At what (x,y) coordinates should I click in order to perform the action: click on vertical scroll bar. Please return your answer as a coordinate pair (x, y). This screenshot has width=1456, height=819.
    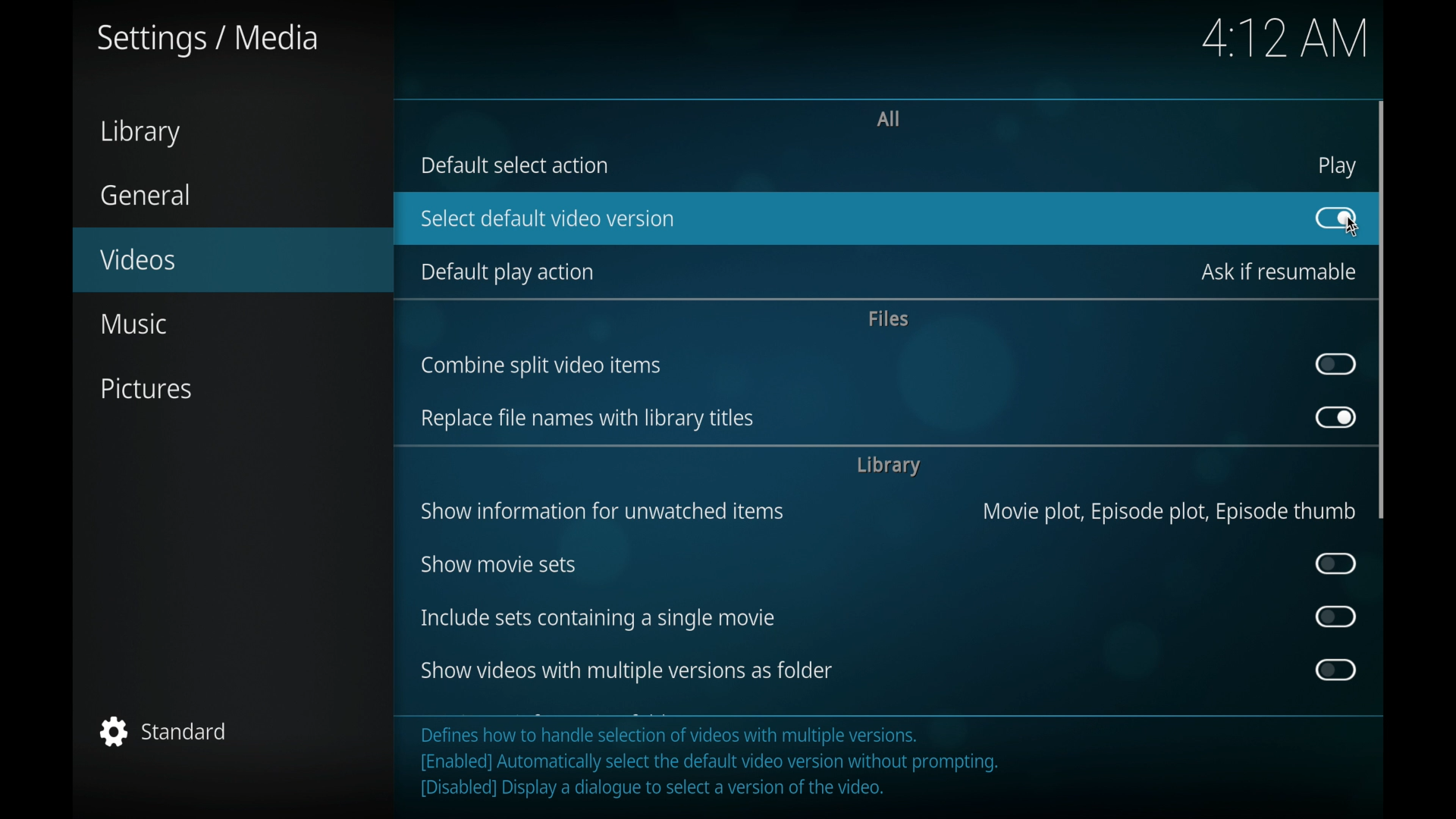
    Looking at the image, I should click on (1385, 311).